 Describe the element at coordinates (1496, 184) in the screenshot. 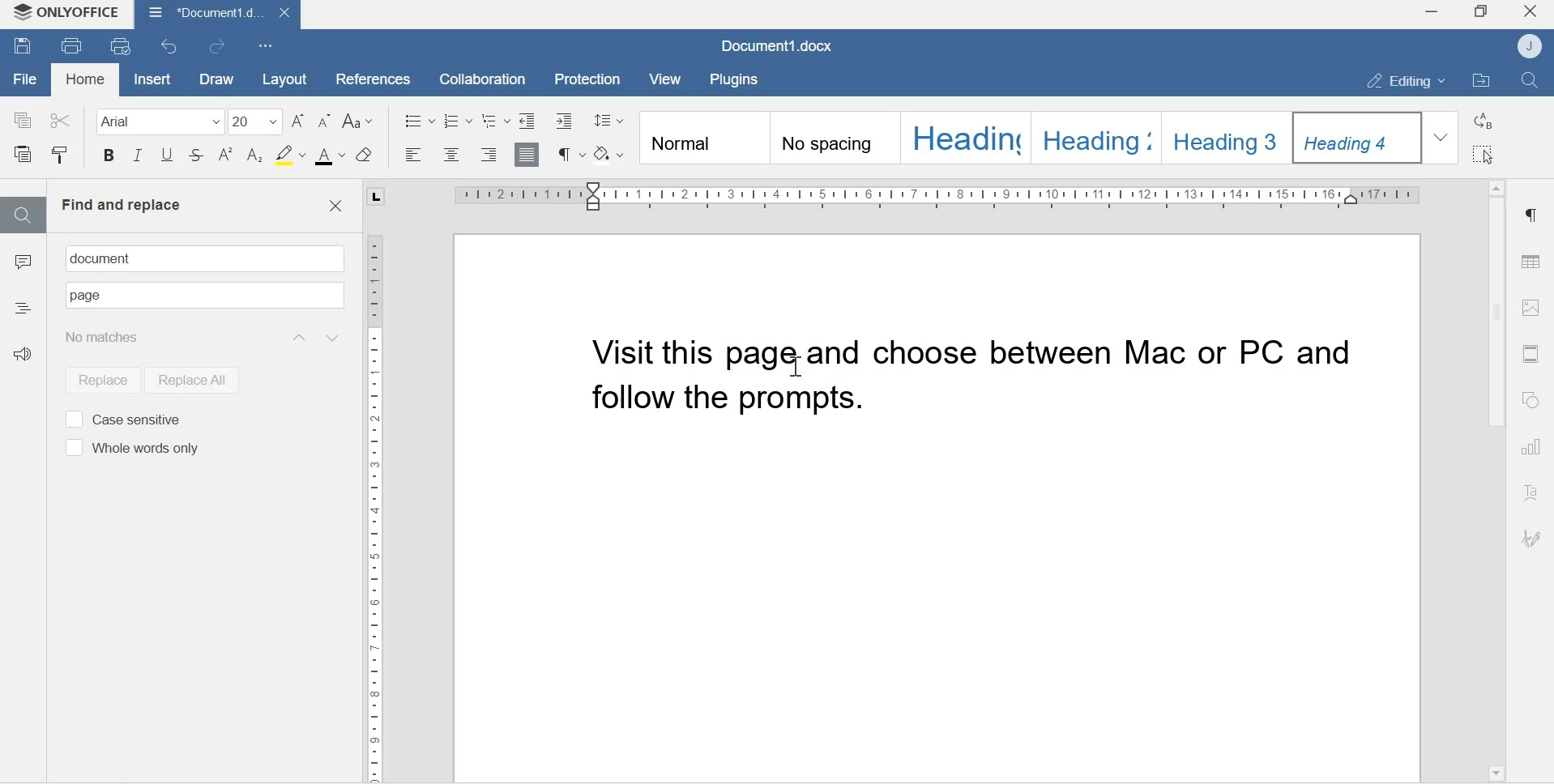

I see `Scroll up` at that location.